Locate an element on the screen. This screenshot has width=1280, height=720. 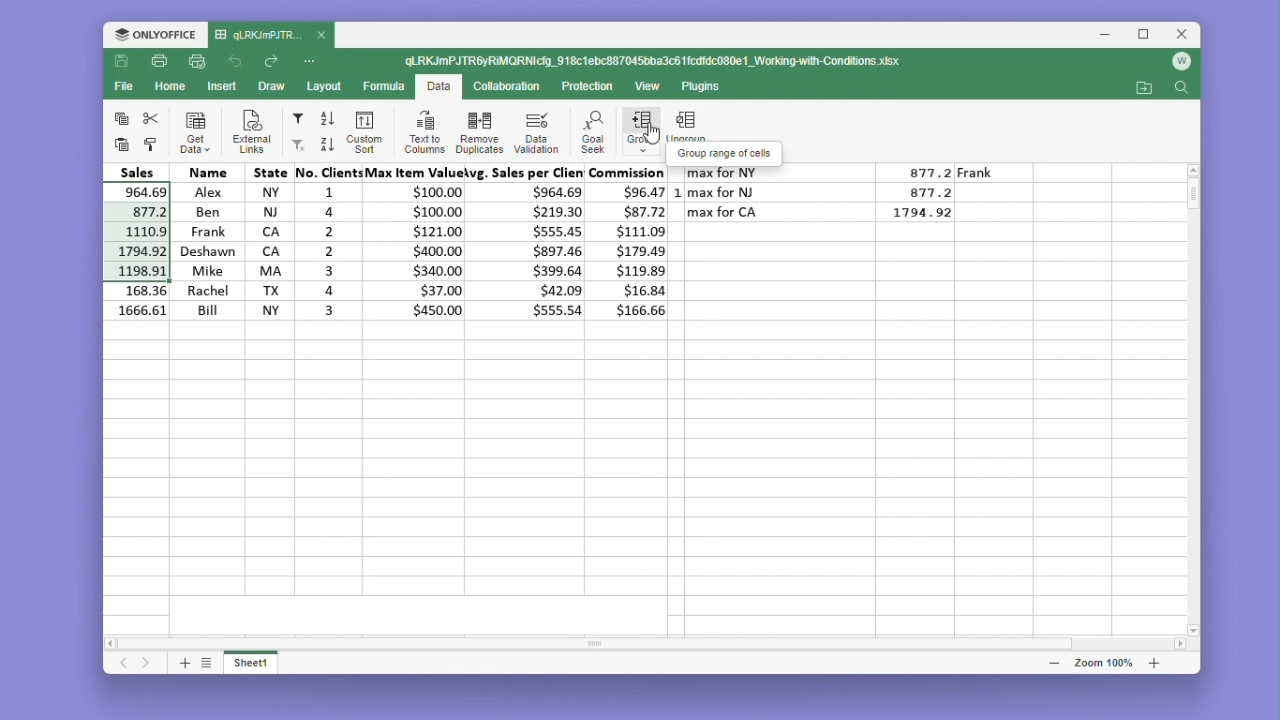
sort ascending is located at coordinates (328, 119).